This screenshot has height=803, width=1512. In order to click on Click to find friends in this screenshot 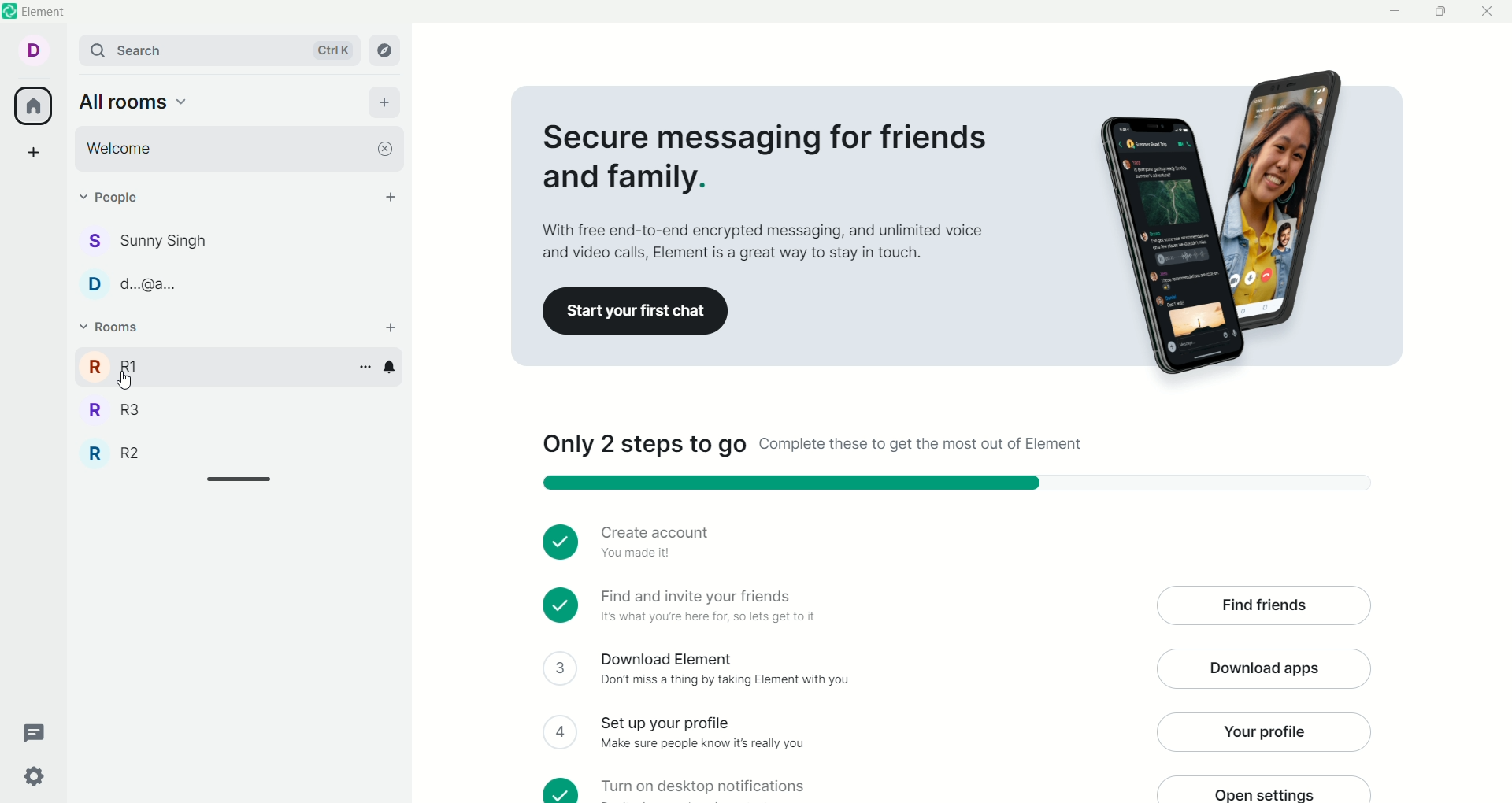, I will do `click(1263, 605)`.